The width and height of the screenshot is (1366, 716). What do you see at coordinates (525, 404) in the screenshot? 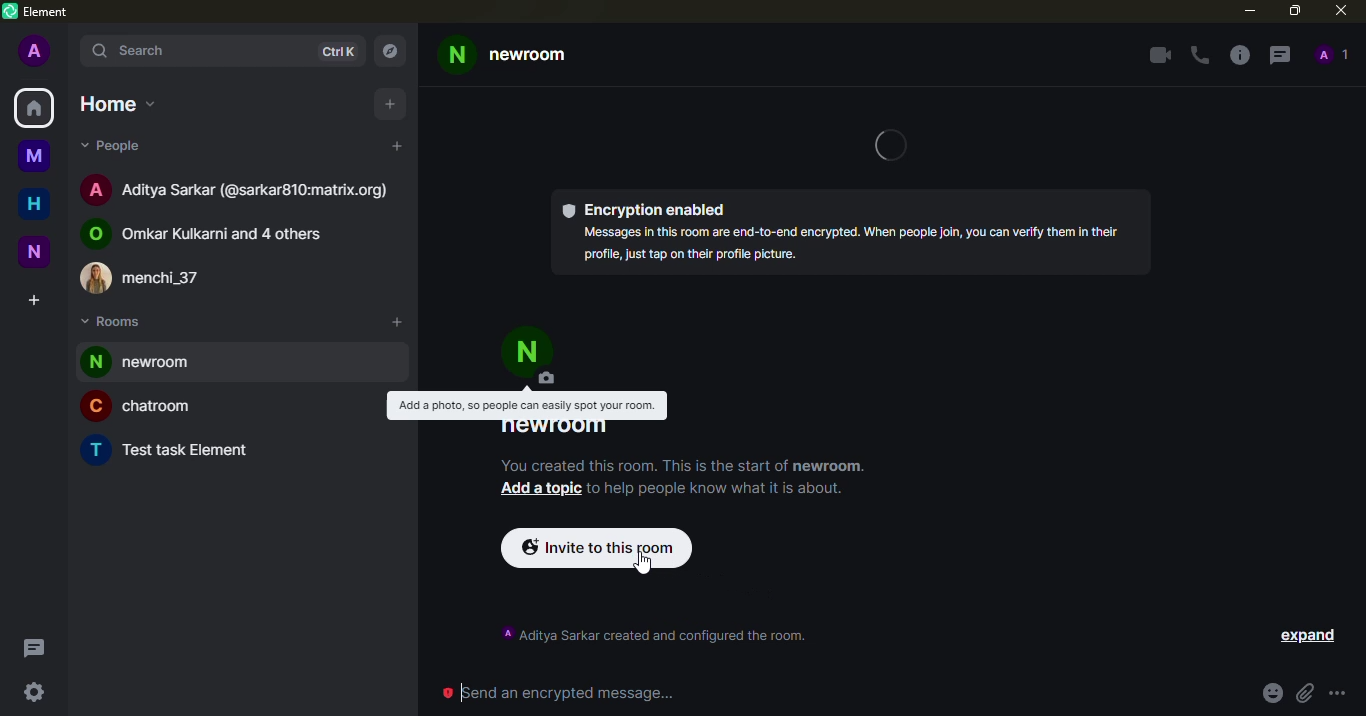
I see `Add a photo, so people can easily spot your room.` at bounding box center [525, 404].